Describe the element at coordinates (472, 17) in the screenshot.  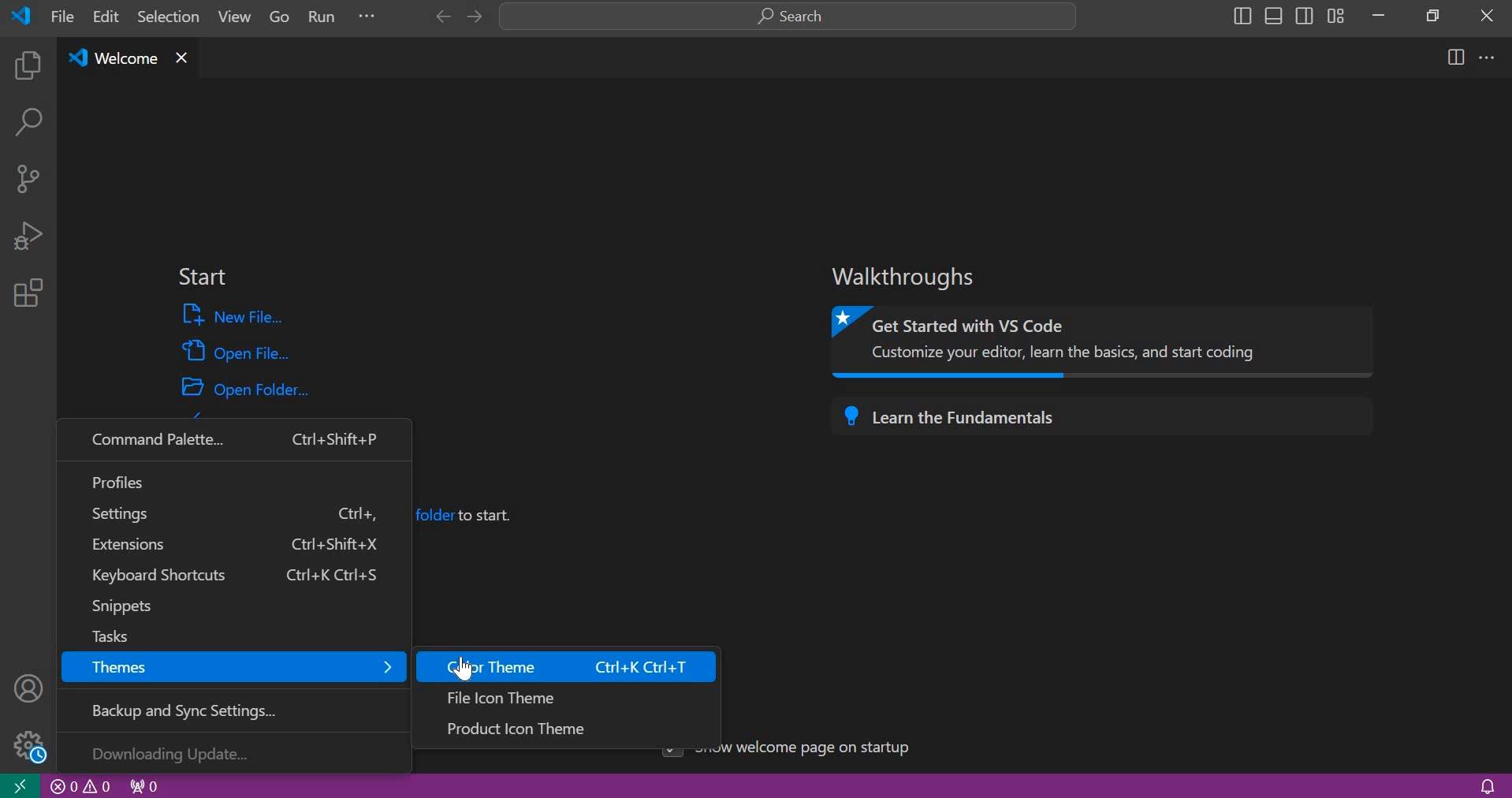
I see `go forward` at that location.